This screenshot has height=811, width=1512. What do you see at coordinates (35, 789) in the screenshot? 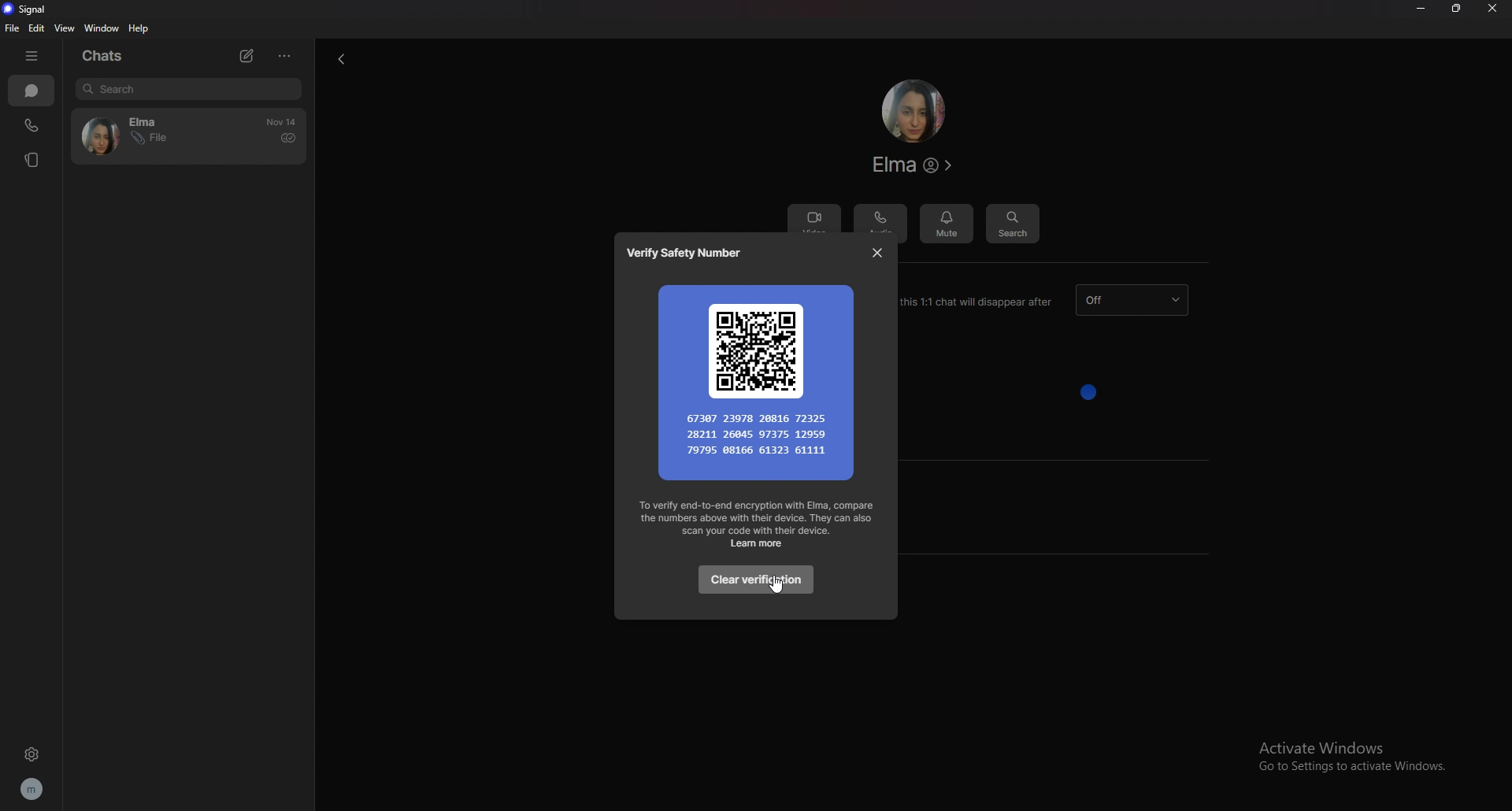
I see `profile` at bounding box center [35, 789].